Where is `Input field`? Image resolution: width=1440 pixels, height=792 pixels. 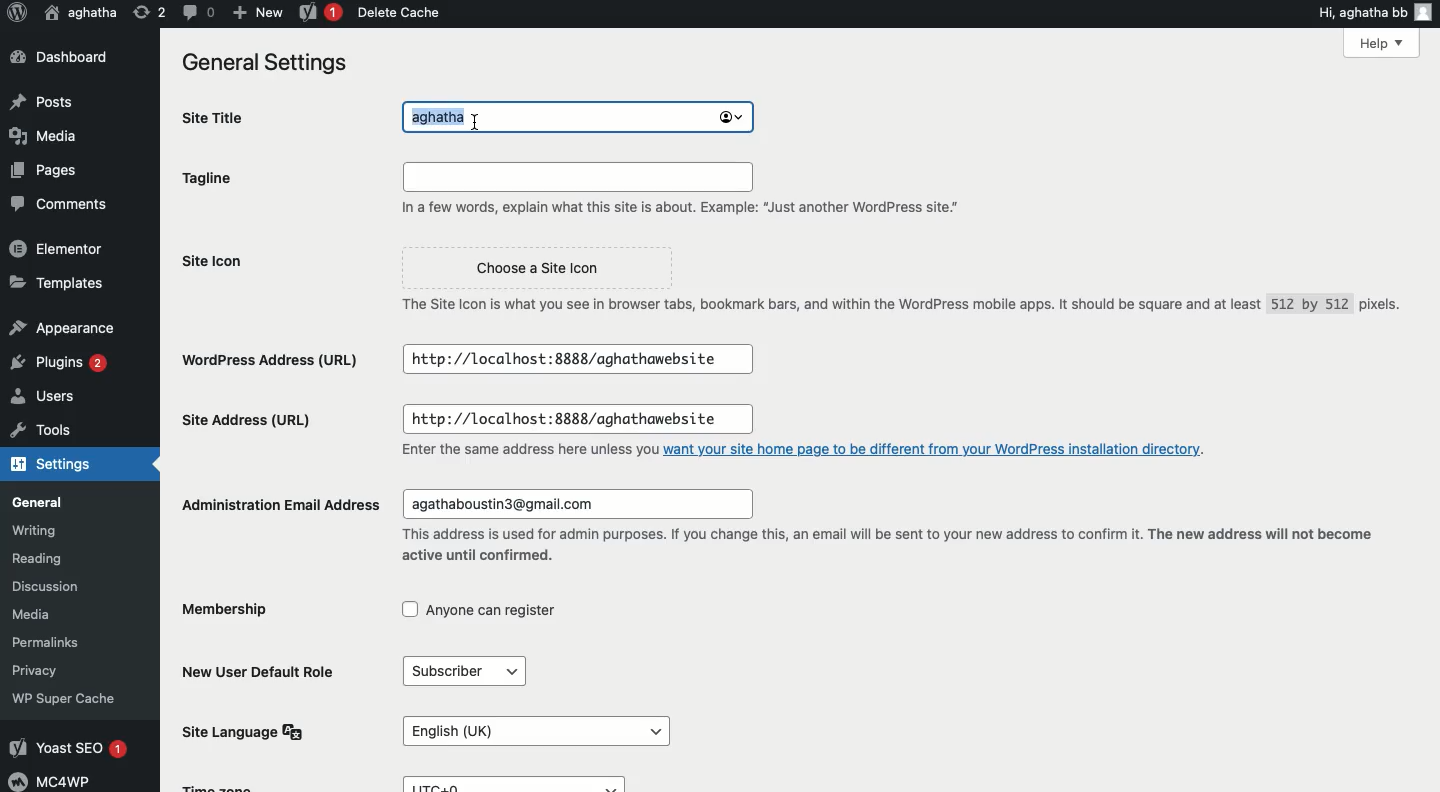 Input field is located at coordinates (574, 175).